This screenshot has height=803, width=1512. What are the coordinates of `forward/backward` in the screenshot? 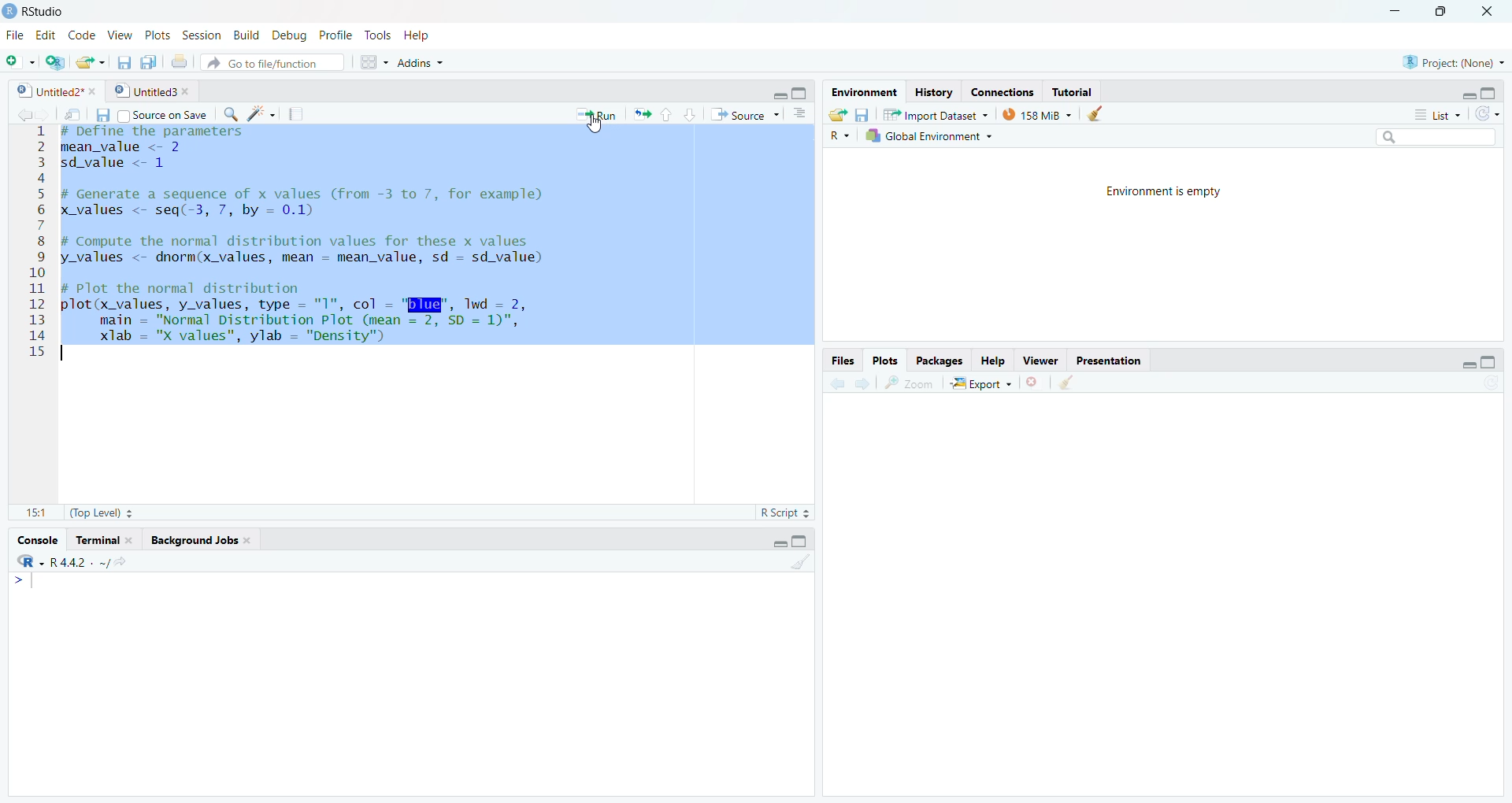 It's located at (854, 380).